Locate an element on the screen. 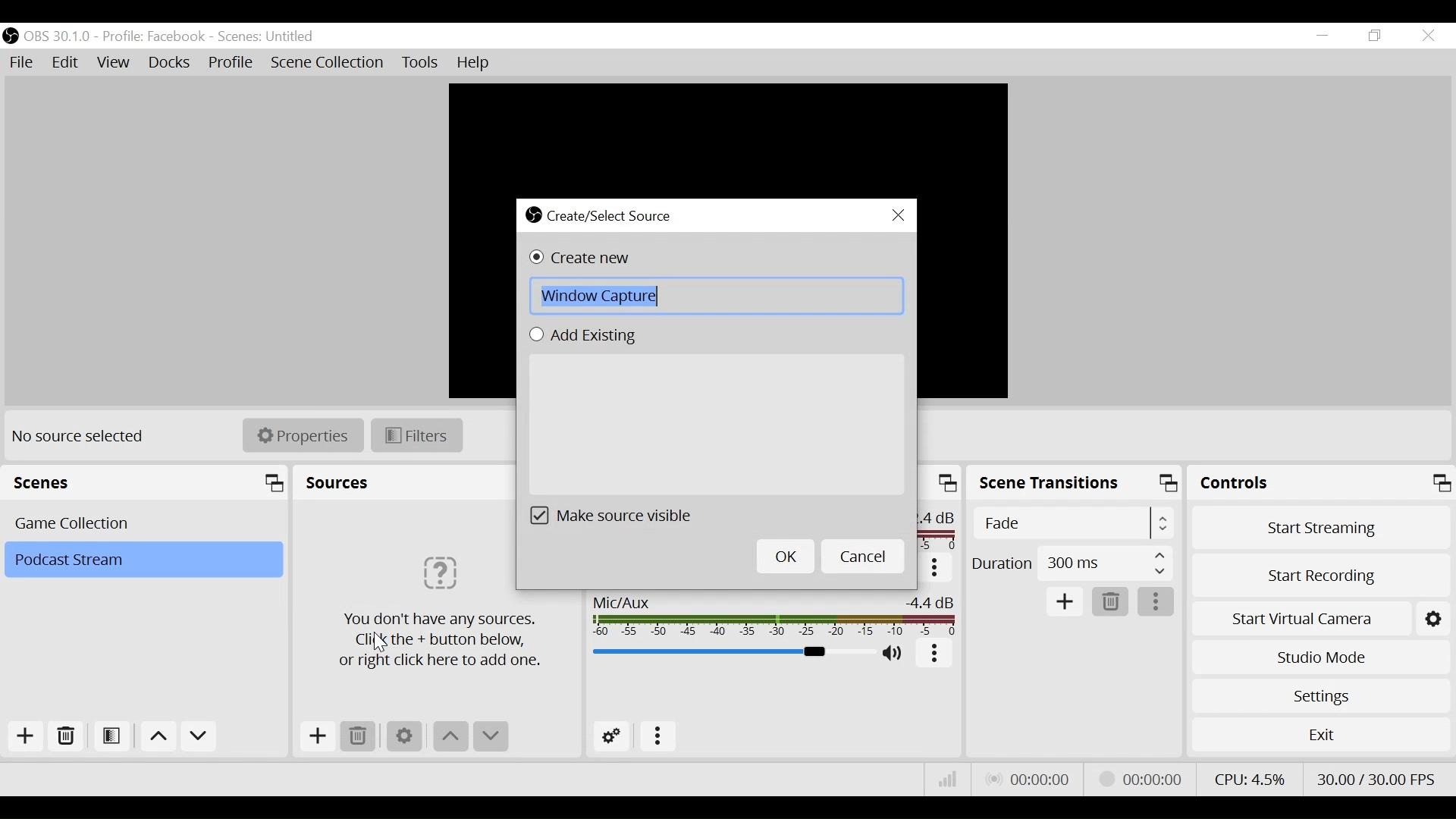  Mic/Aux is located at coordinates (774, 616).